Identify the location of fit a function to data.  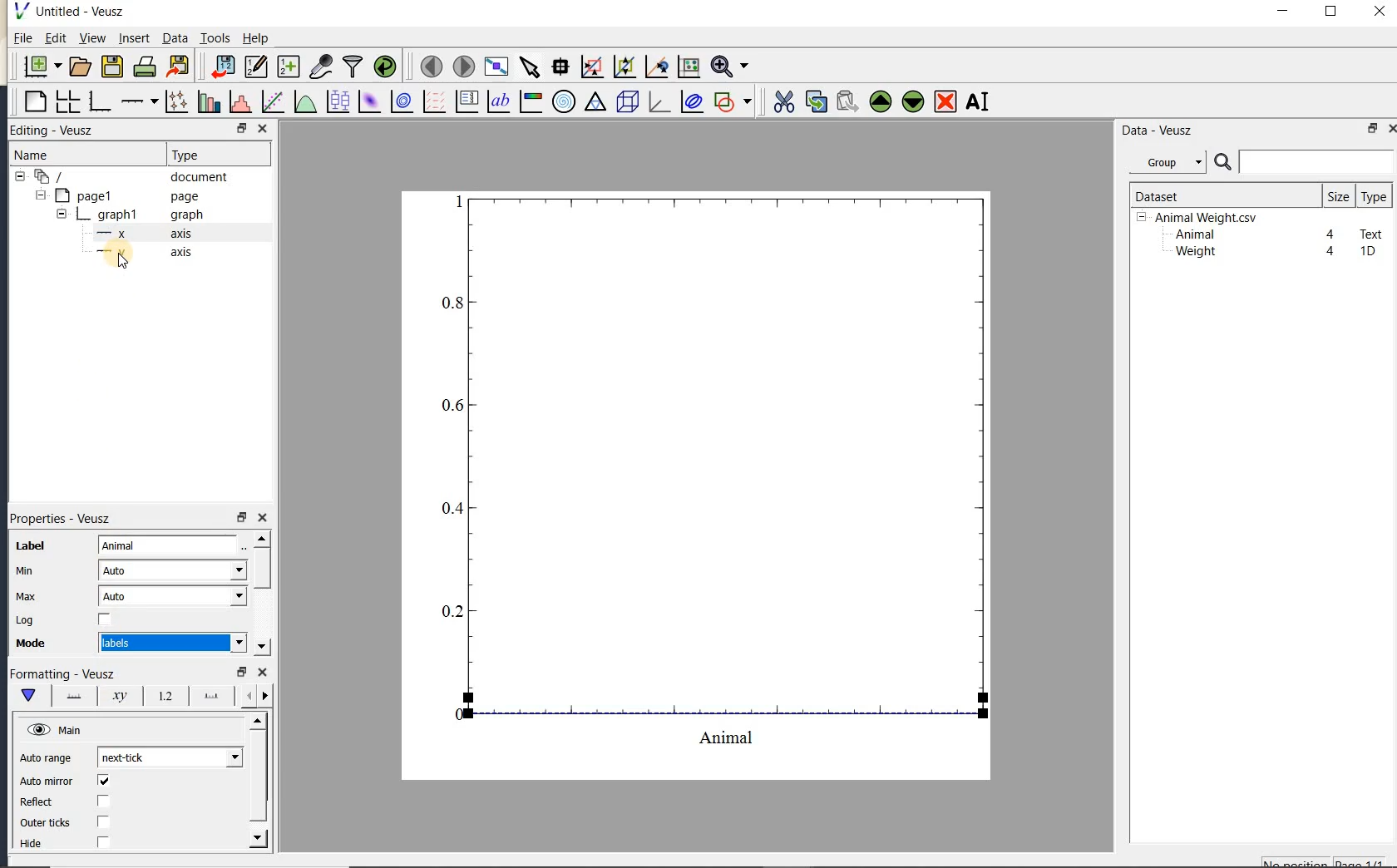
(272, 101).